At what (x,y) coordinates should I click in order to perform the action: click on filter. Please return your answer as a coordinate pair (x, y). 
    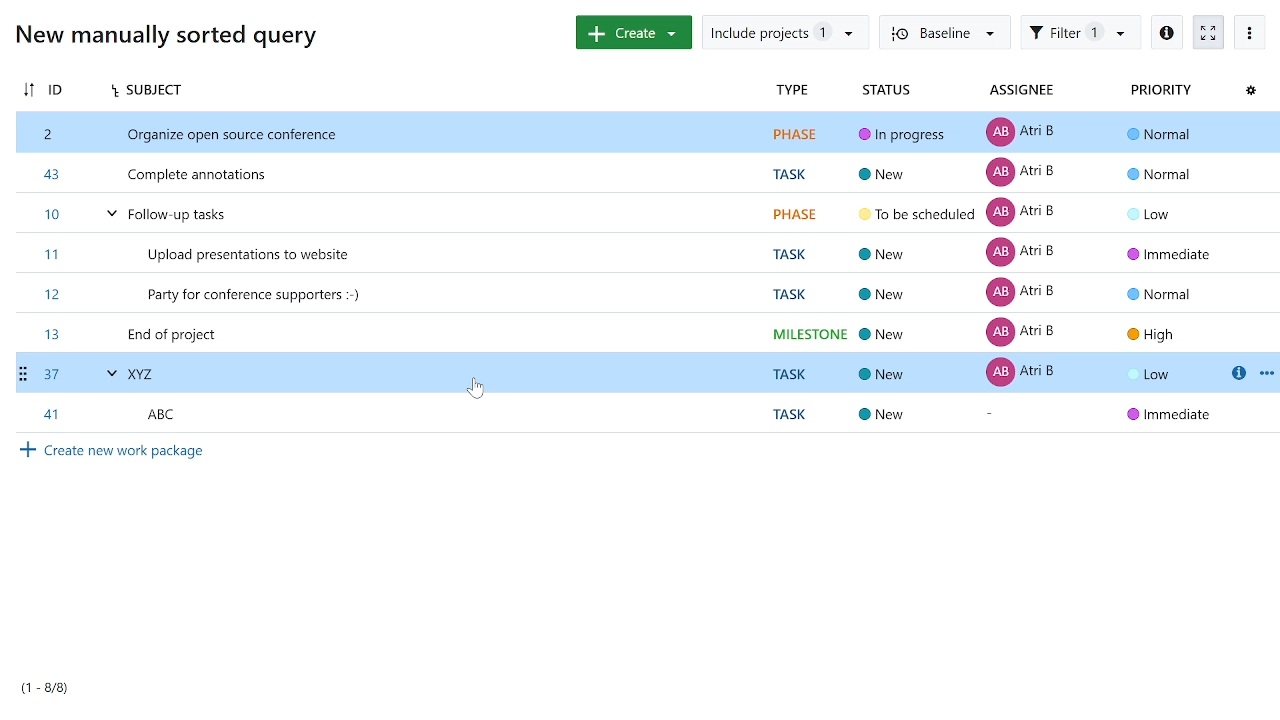
    Looking at the image, I should click on (1080, 32).